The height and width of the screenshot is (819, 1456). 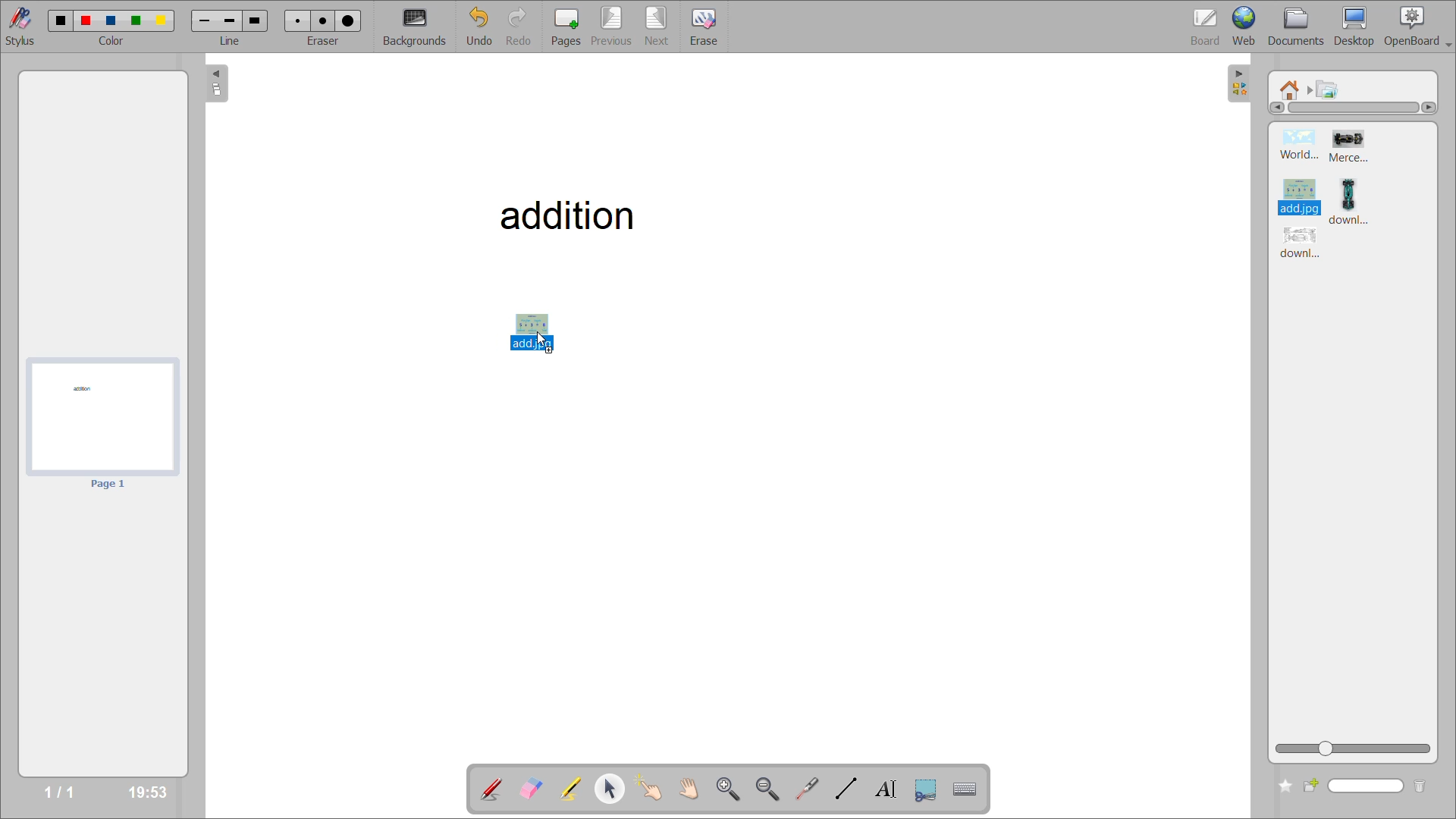 I want to click on drag to, so click(x=545, y=341).